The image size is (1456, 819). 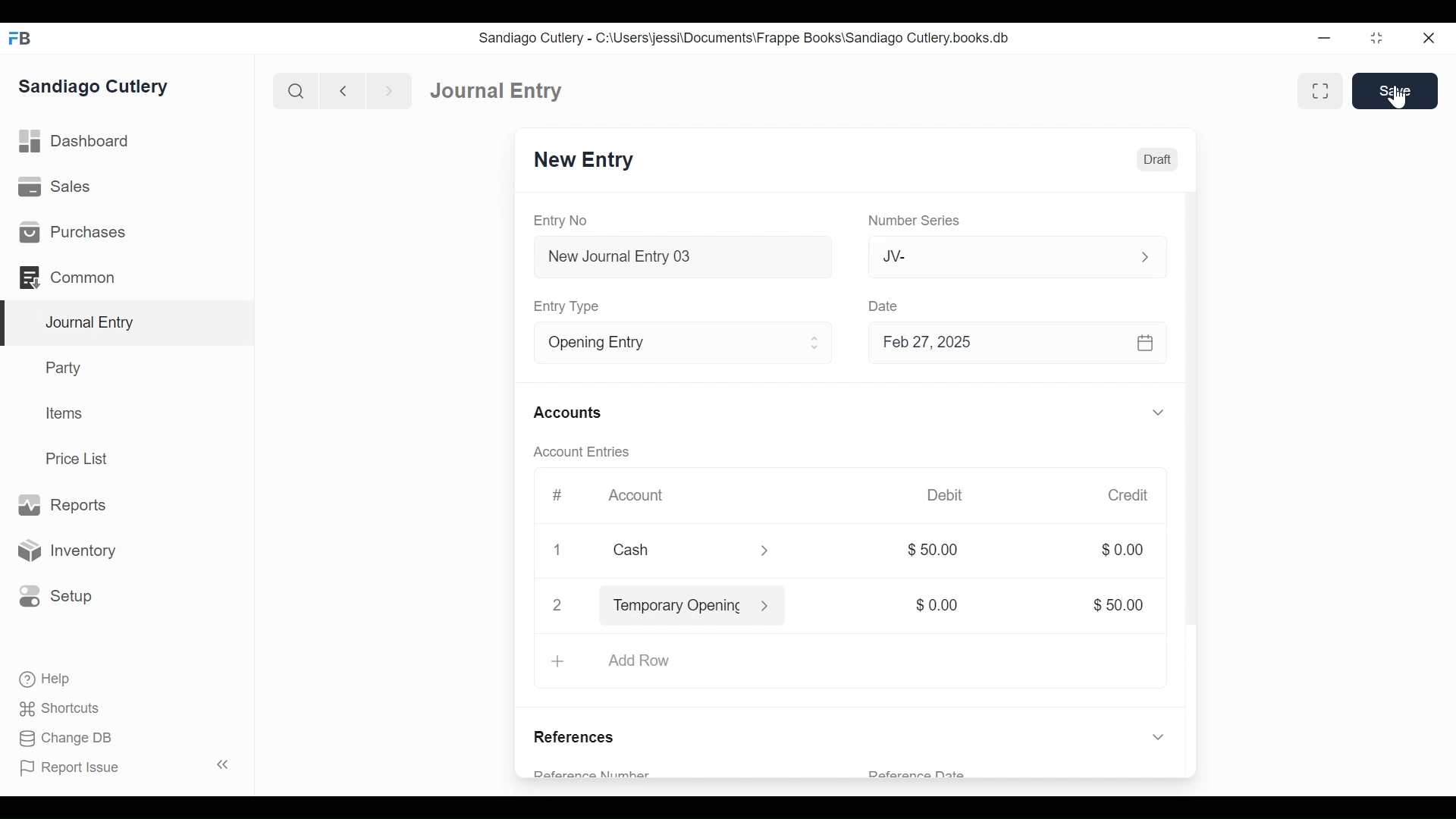 What do you see at coordinates (1160, 412) in the screenshot?
I see `Expand` at bounding box center [1160, 412].